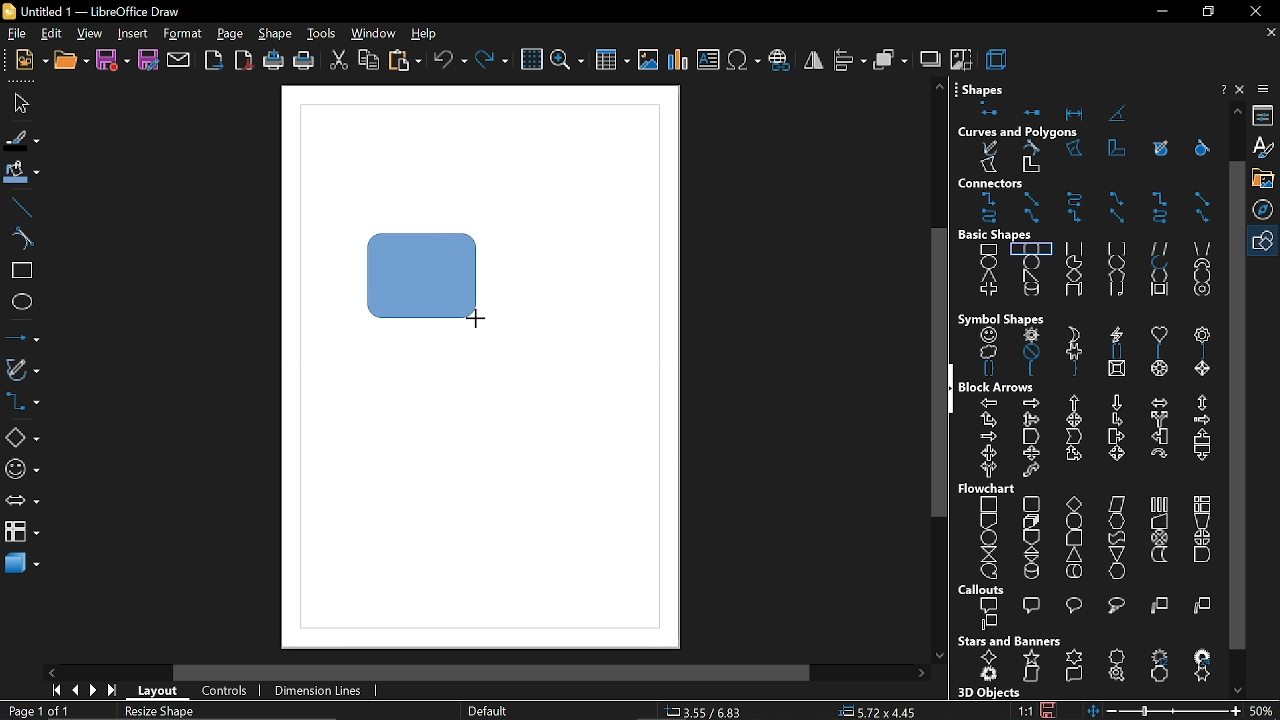 The image size is (1280, 720). What do you see at coordinates (369, 62) in the screenshot?
I see `copy` at bounding box center [369, 62].